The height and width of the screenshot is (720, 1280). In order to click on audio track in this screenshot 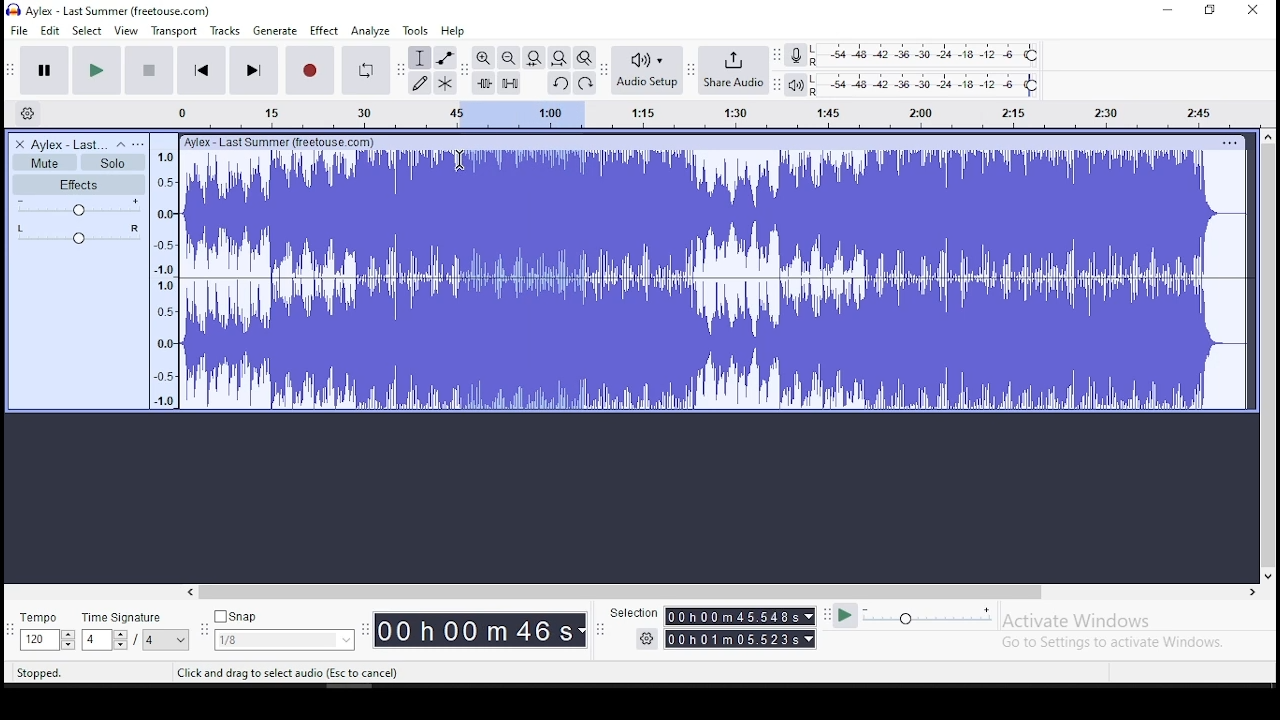, I will do `click(715, 282)`.